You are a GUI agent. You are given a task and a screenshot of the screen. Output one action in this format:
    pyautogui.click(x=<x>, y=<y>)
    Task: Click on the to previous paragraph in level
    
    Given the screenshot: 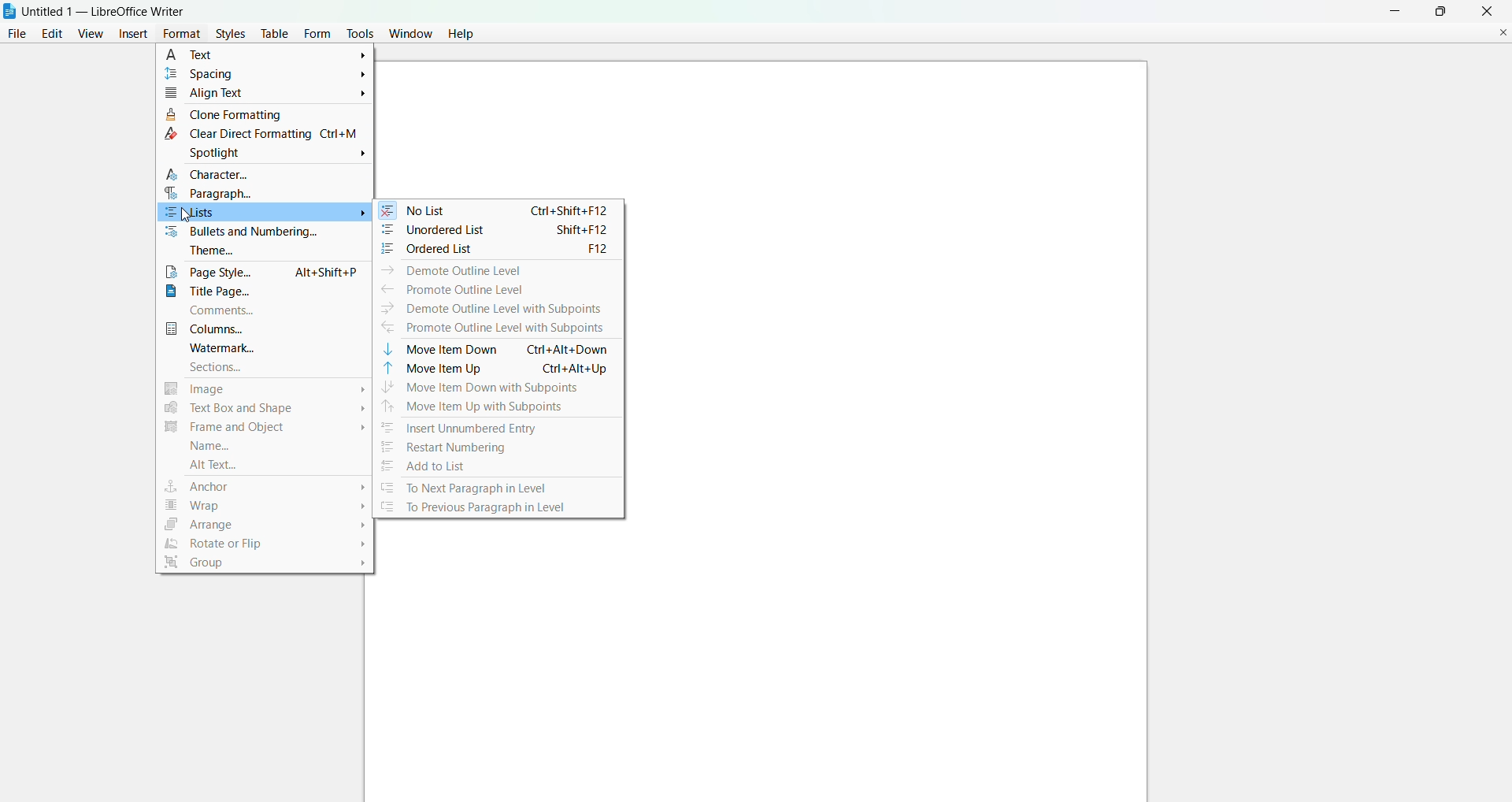 What is the action you would take?
    pyautogui.click(x=476, y=507)
    